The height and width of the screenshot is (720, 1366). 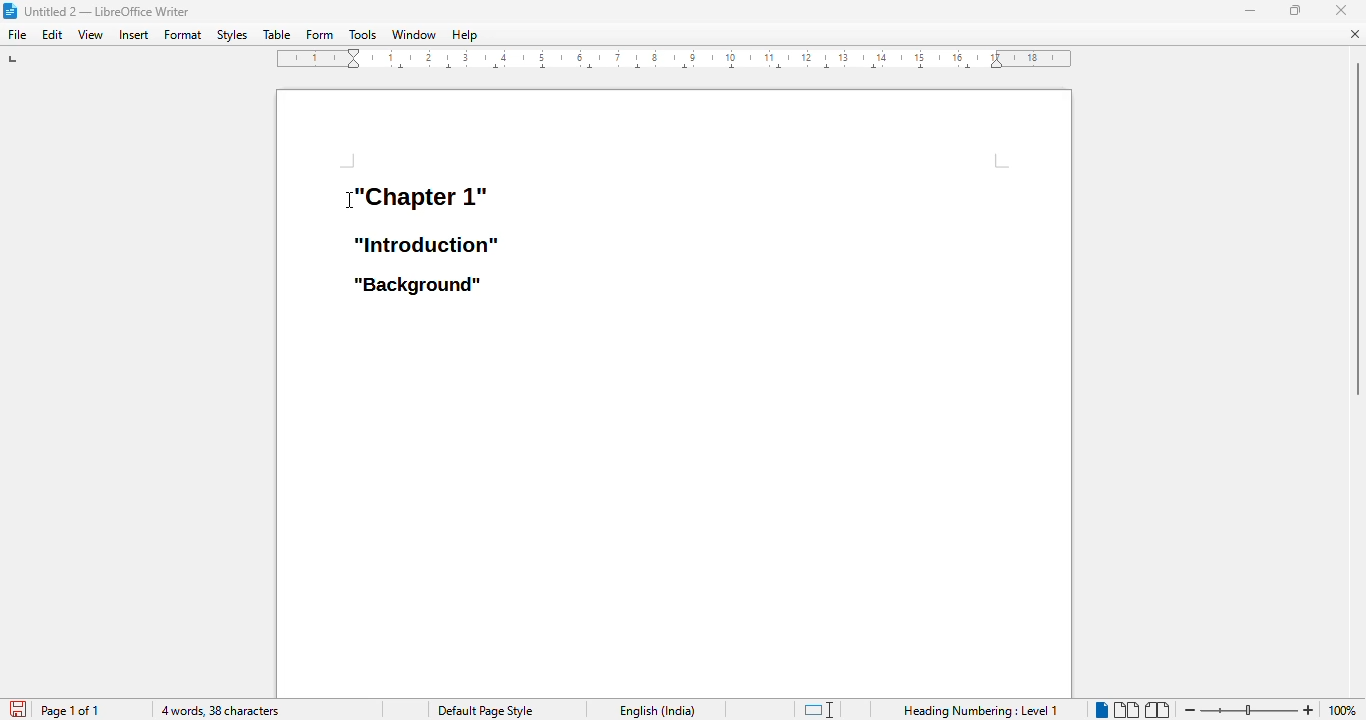 What do you see at coordinates (464, 34) in the screenshot?
I see `help` at bounding box center [464, 34].